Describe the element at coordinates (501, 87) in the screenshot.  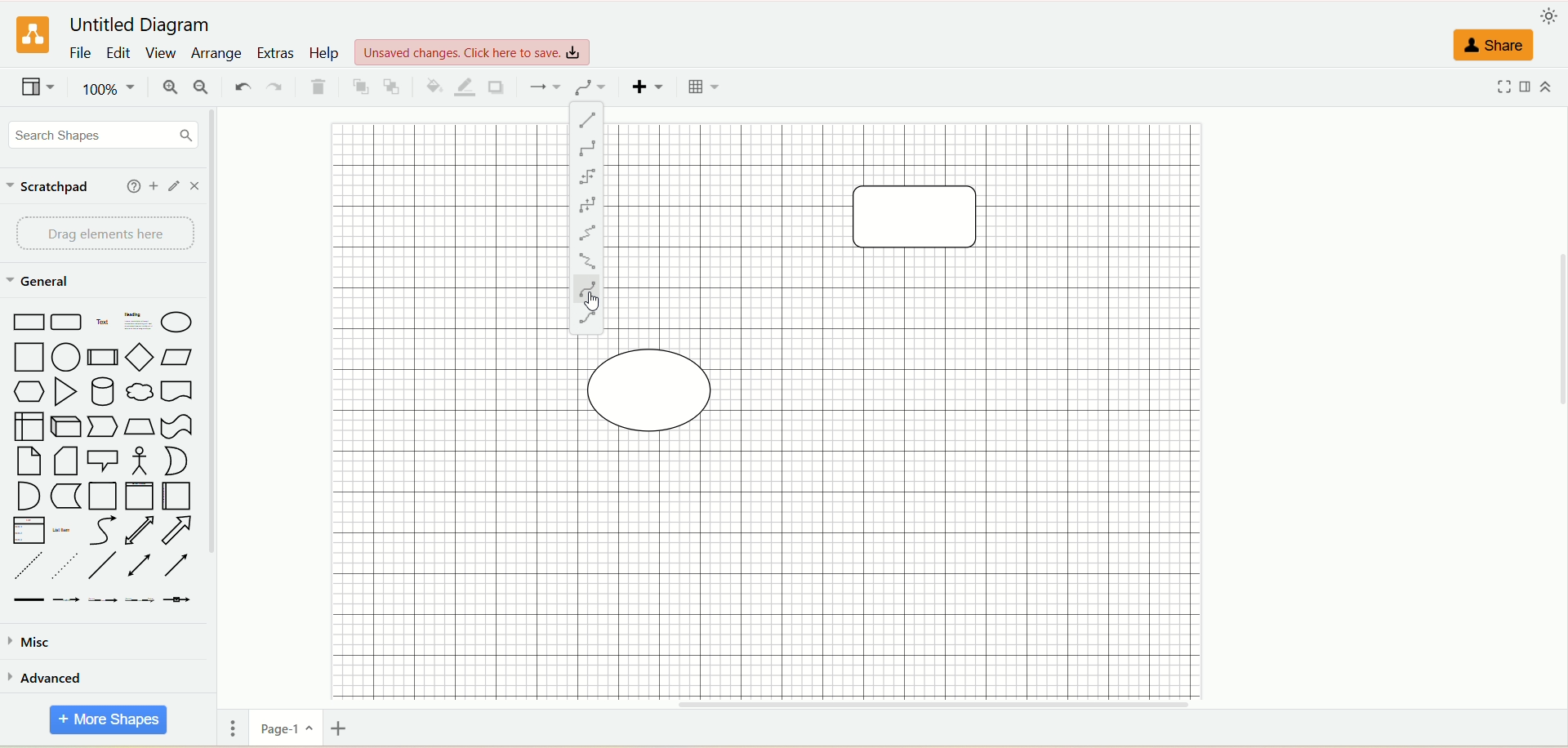
I see `shadow` at that location.